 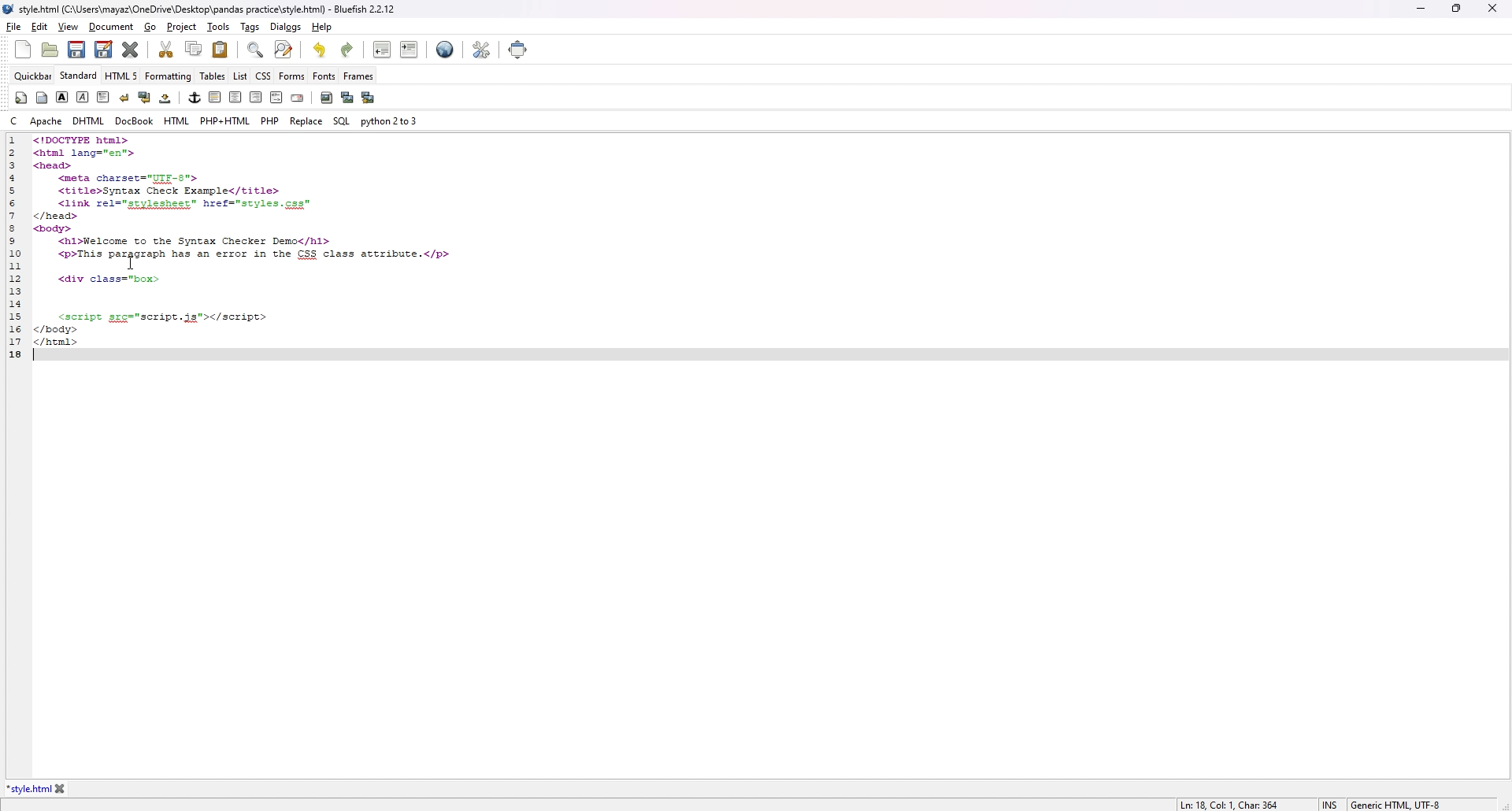 I want to click on bold, so click(x=61, y=98).